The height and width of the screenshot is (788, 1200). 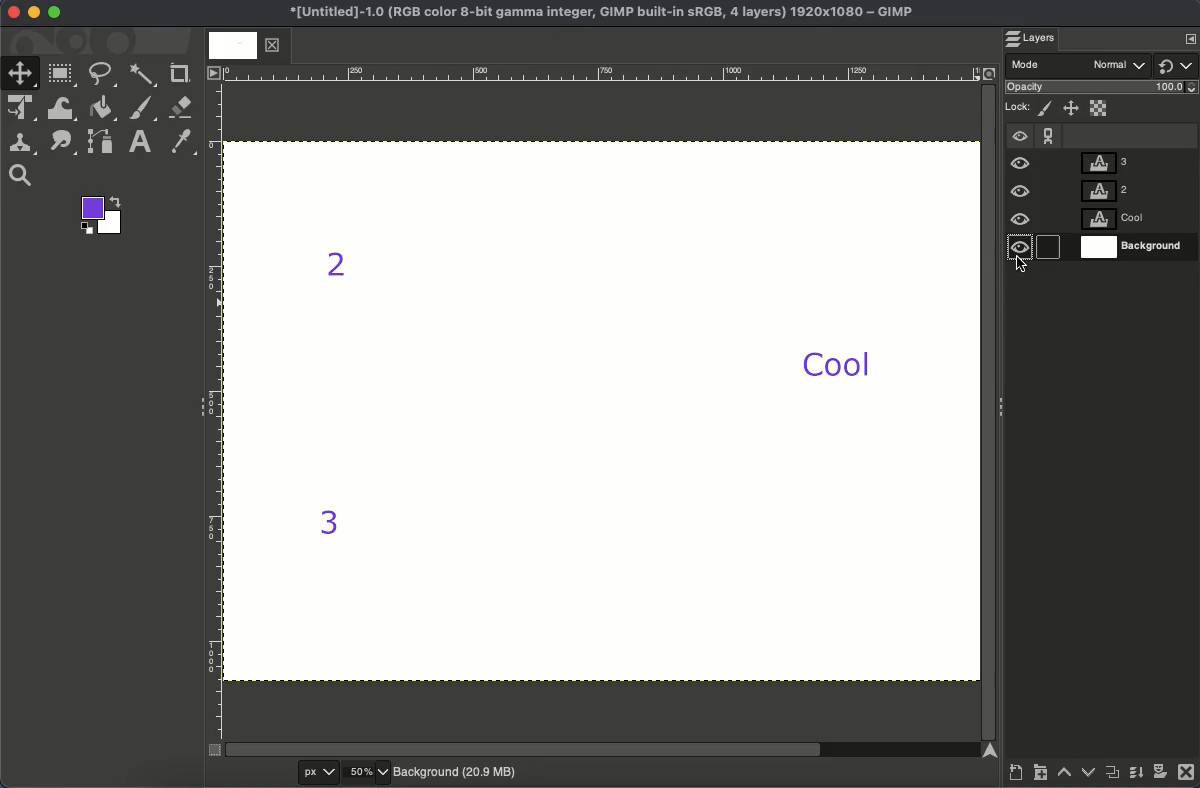 What do you see at coordinates (1080, 66) in the screenshot?
I see `Mode` at bounding box center [1080, 66].